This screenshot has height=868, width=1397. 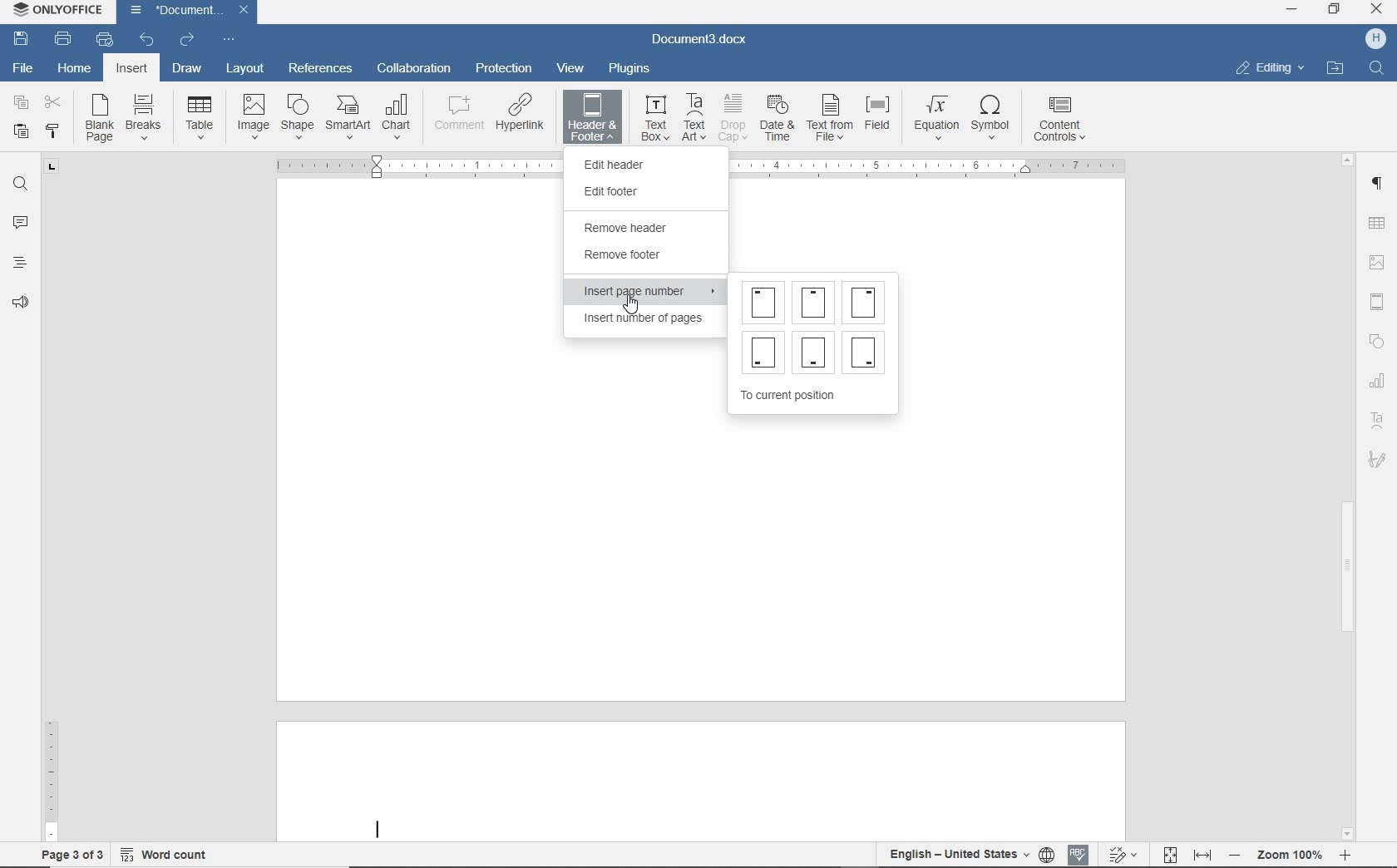 I want to click on Signature, so click(x=1374, y=465).